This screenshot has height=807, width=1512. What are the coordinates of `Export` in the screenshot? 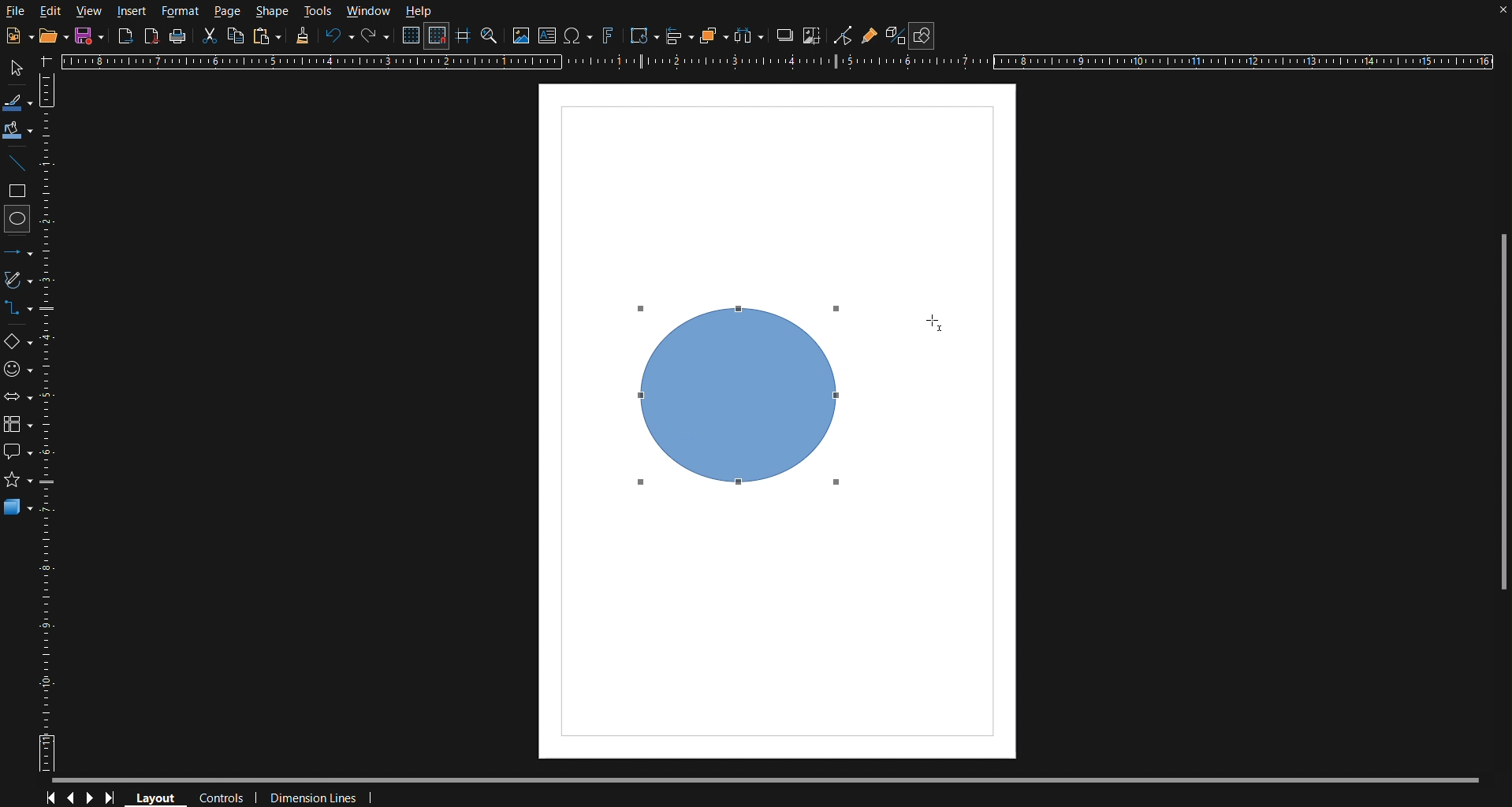 It's located at (125, 36).